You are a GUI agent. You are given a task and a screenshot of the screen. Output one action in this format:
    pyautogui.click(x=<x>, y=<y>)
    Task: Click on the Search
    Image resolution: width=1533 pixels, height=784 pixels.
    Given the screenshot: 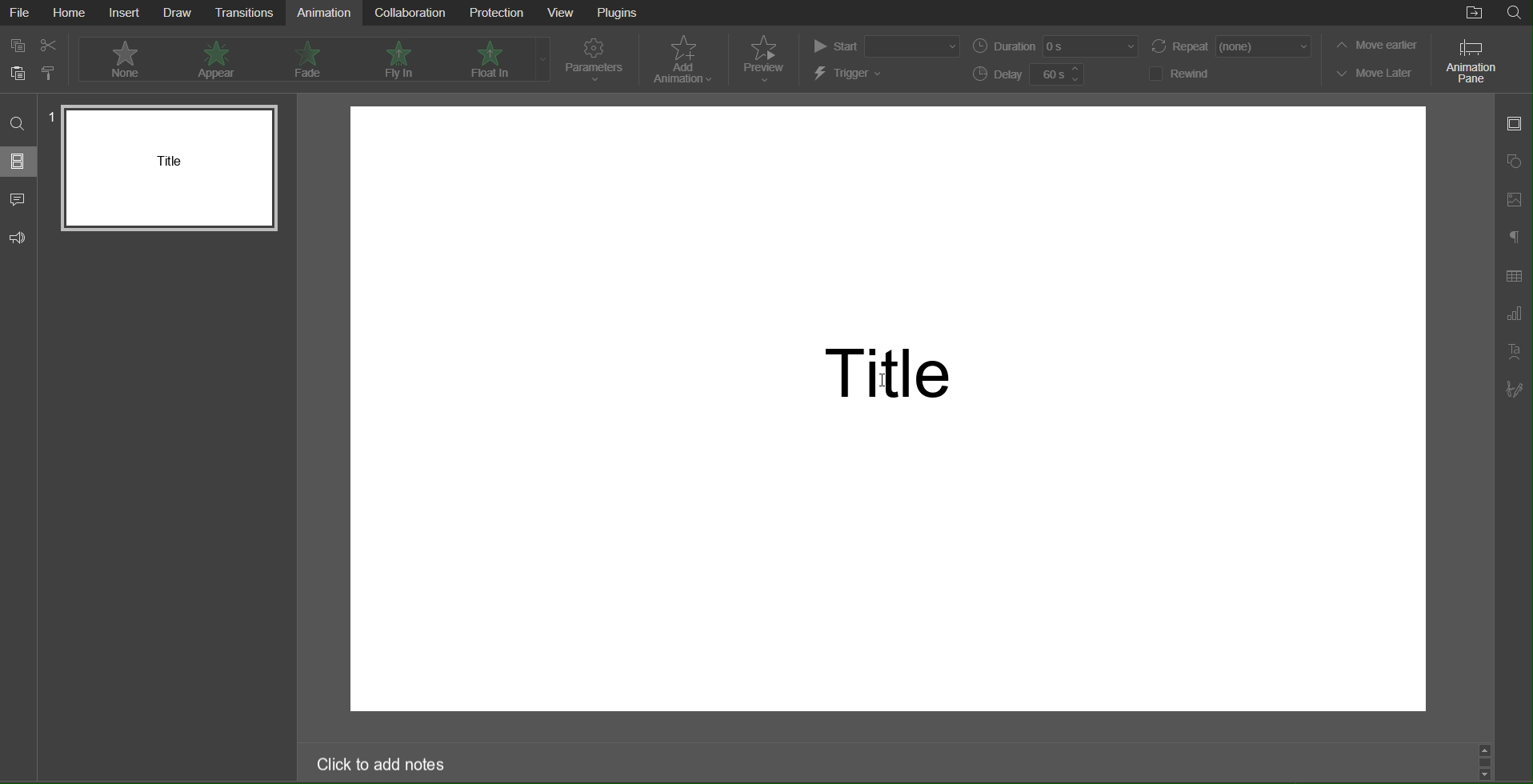 What is the action you would take?
    pyautogui.click(x=1514, y=14)
    